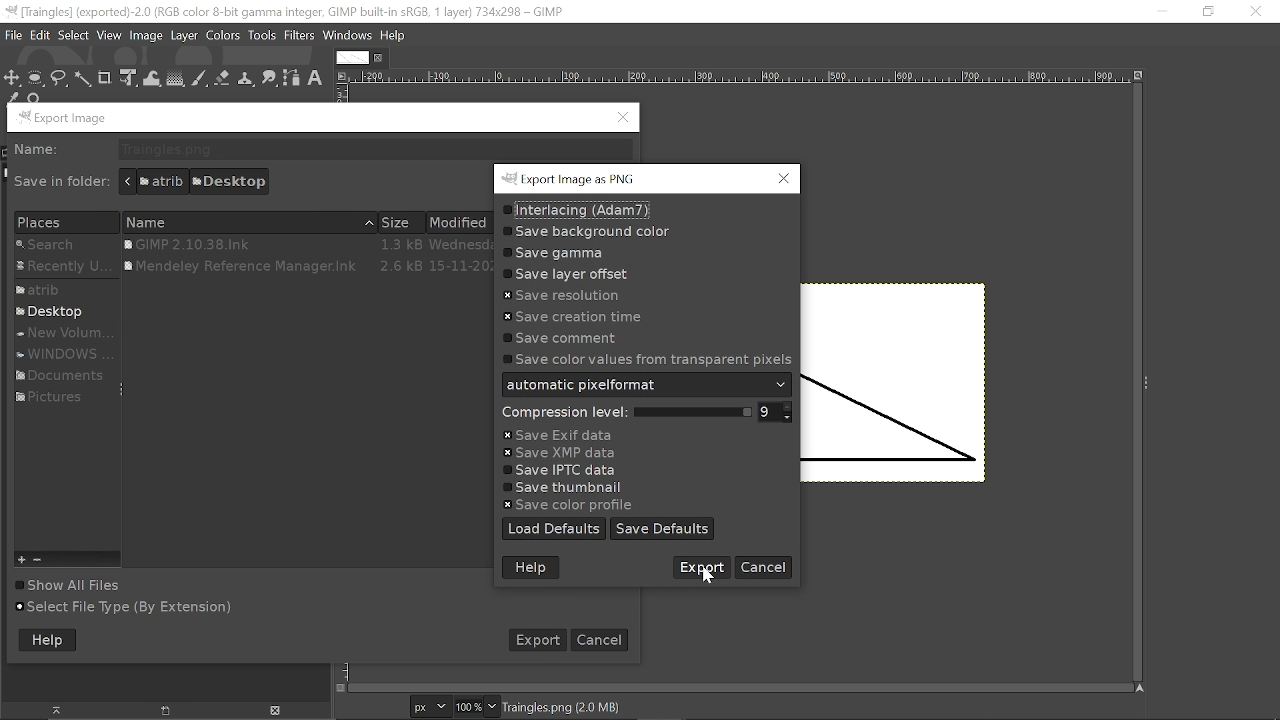 The width and height of the screenshot is (1280, 720). Describe the element at coordinates (647, 384) in the screenshot. I see `Axiomatic pixelformat` at that location.